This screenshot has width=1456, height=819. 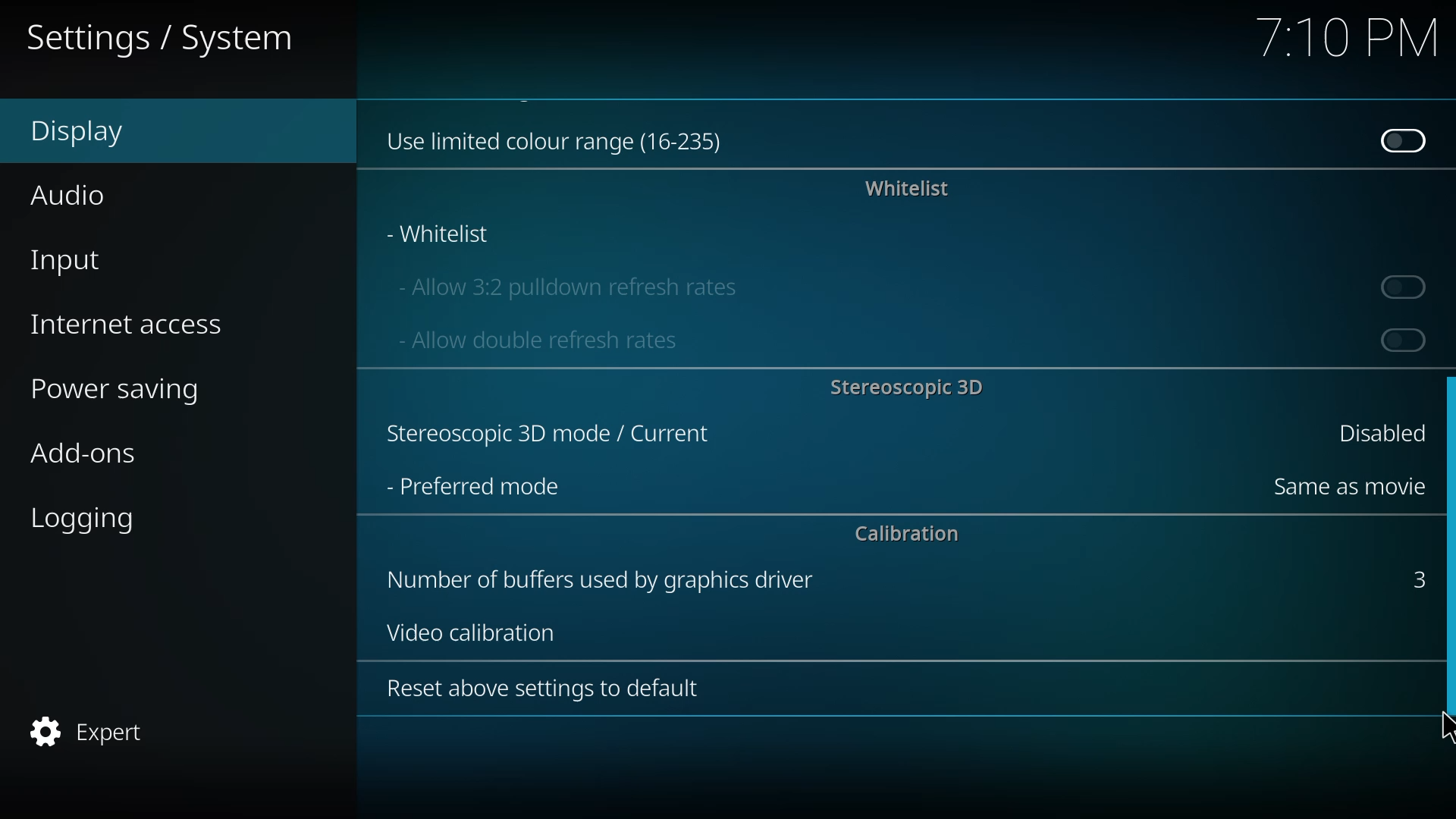 I want to click on use limited color range, so click(x=561, y=137).